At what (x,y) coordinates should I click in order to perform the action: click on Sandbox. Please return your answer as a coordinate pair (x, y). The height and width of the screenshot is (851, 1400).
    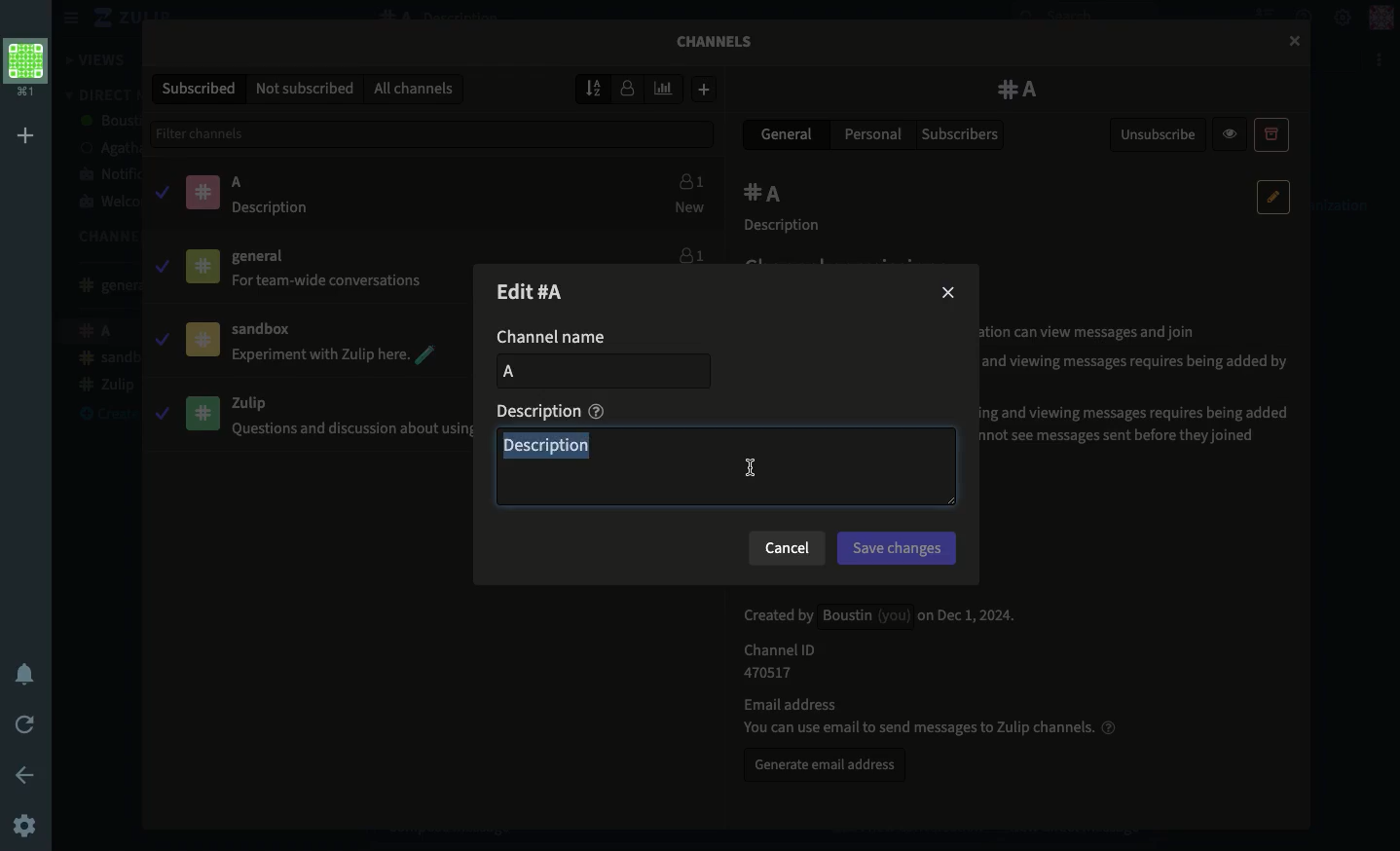
    Looking at the image, I should click on (307, 345).